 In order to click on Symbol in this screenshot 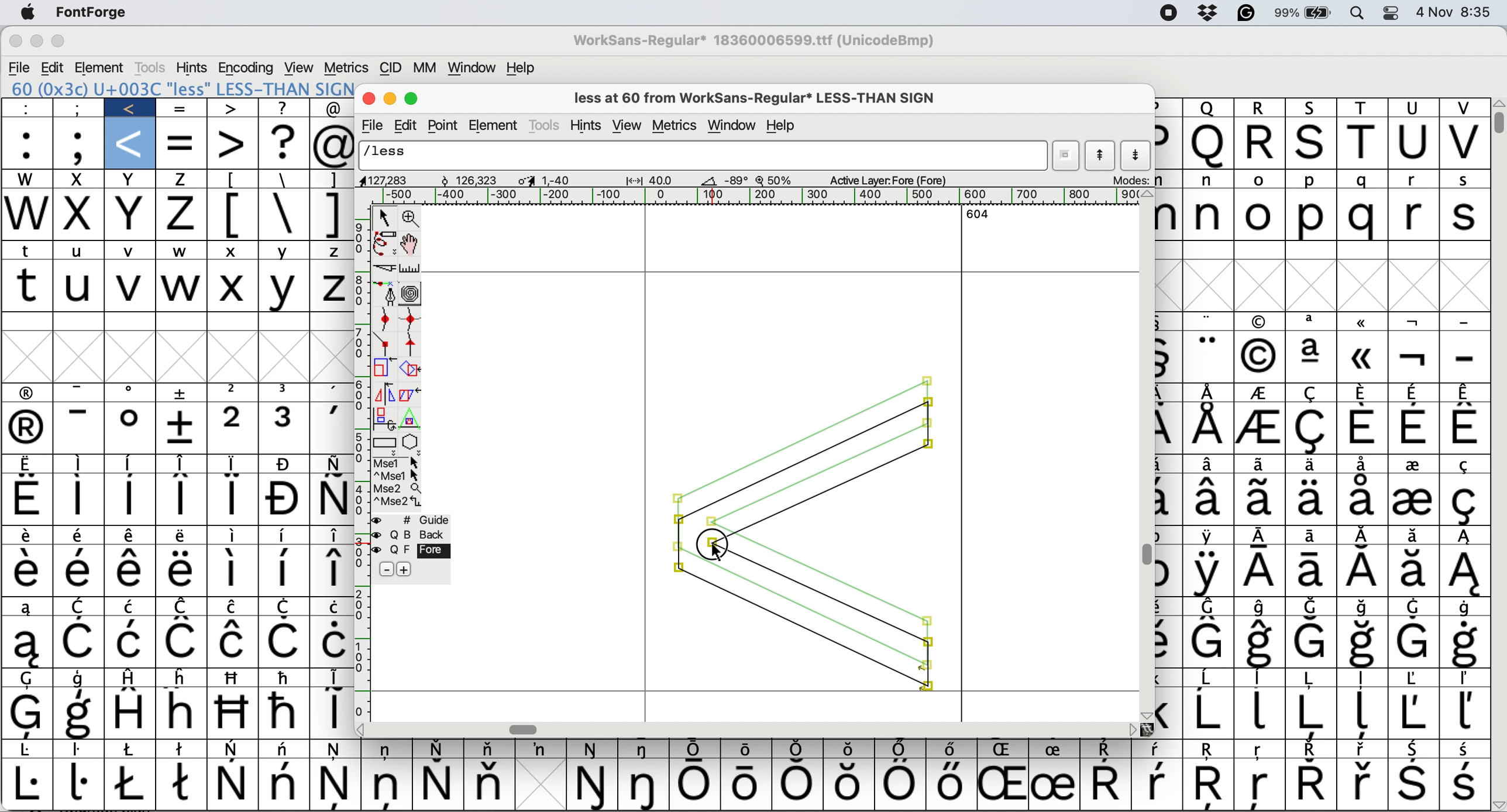, I will do `click(902, 749)`.